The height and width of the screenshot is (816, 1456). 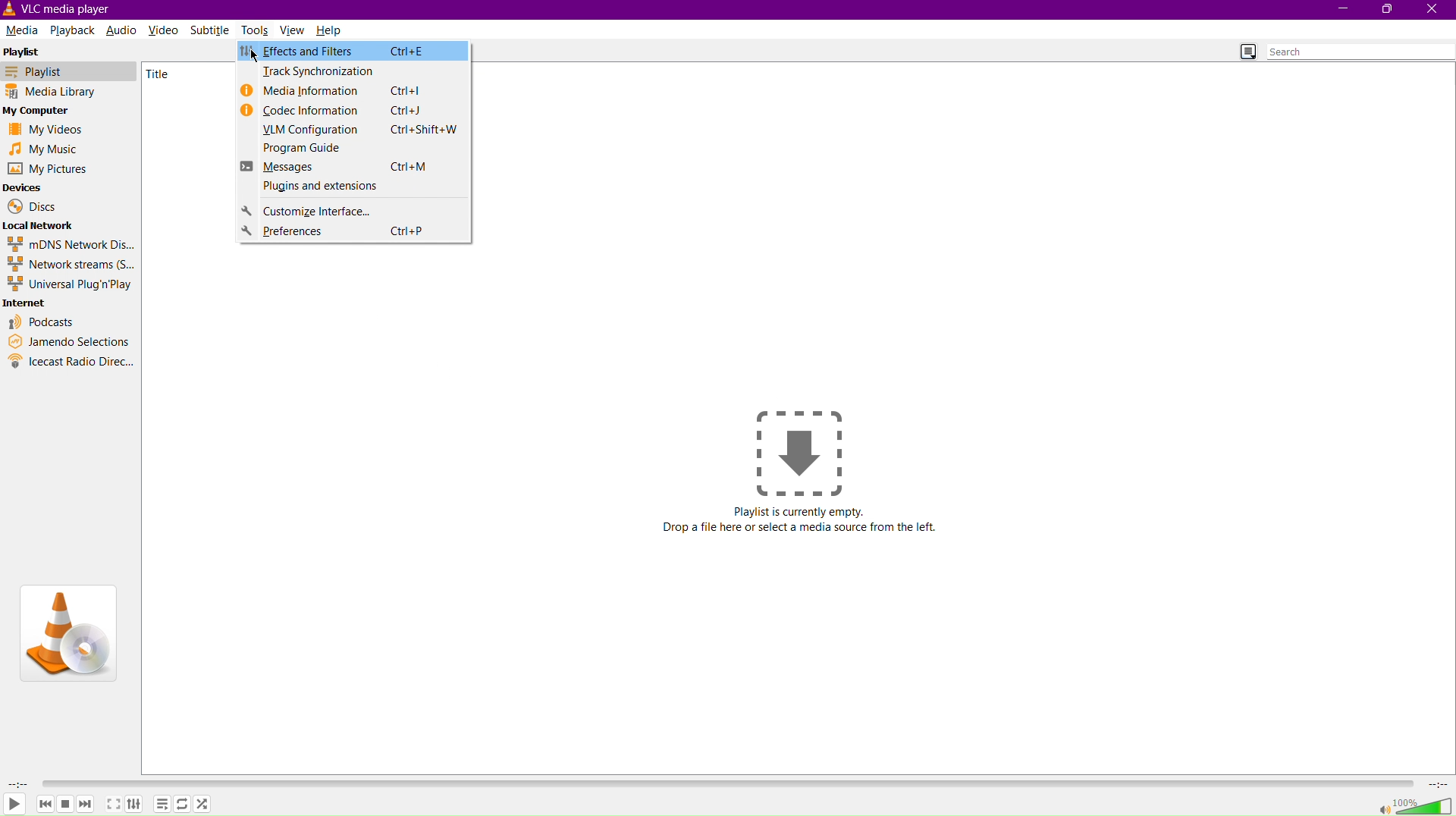 I want to click on Backward, so click(x=44, y=802).